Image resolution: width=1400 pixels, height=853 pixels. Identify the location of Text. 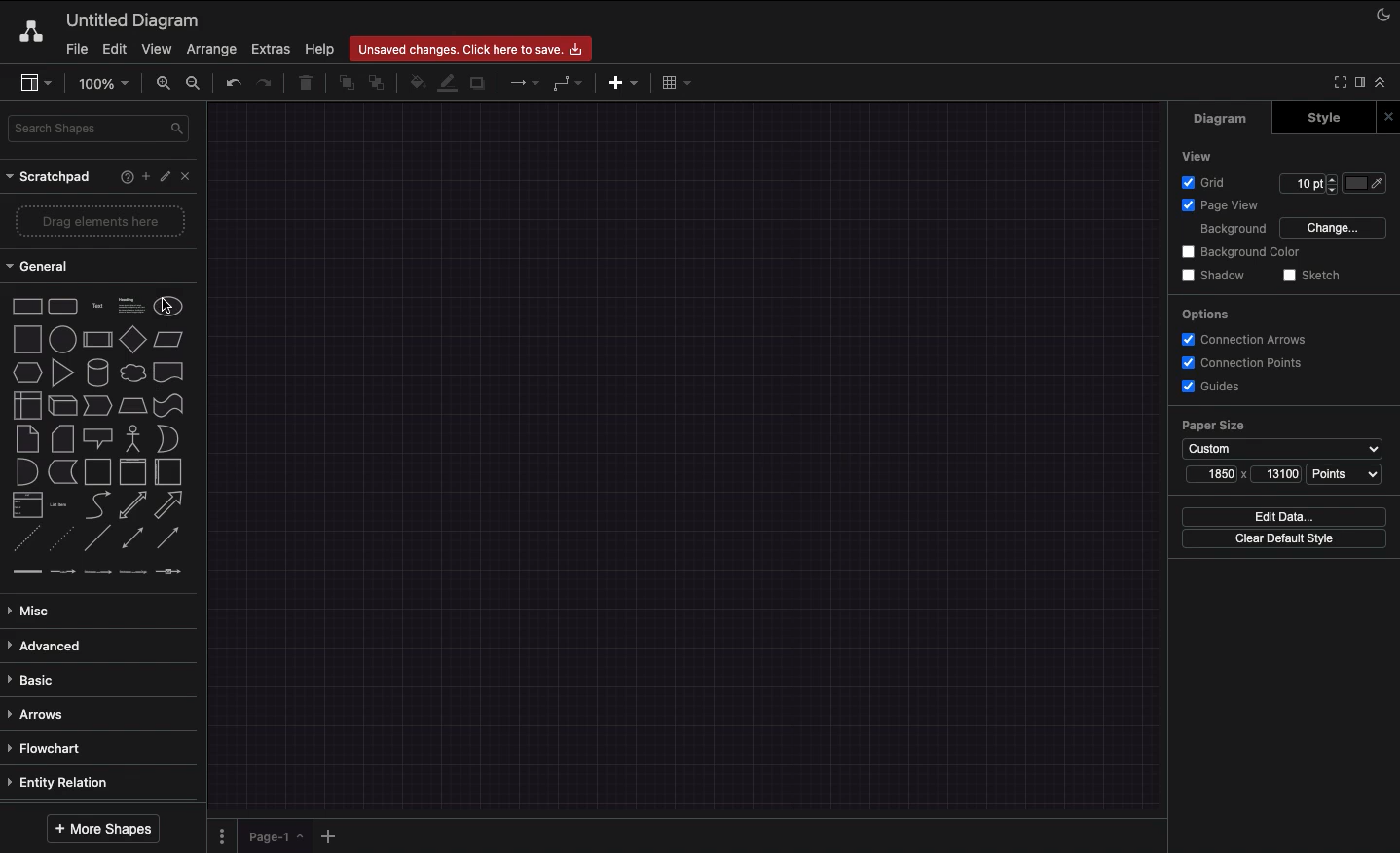
(97, 307).